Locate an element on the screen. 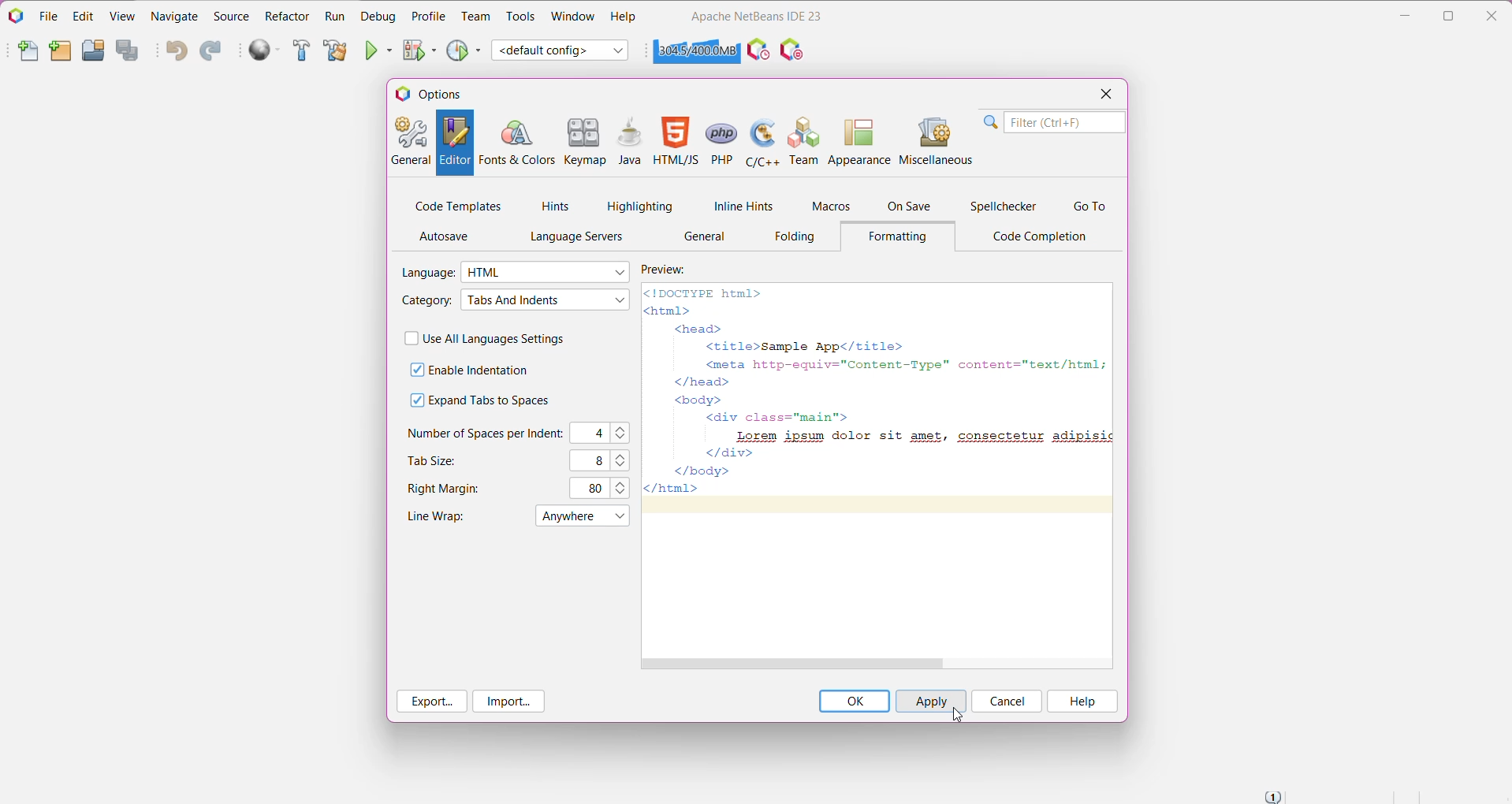 The width and height of the screenshot is (1512, 804). <html> is located at coordinates (672, 311).